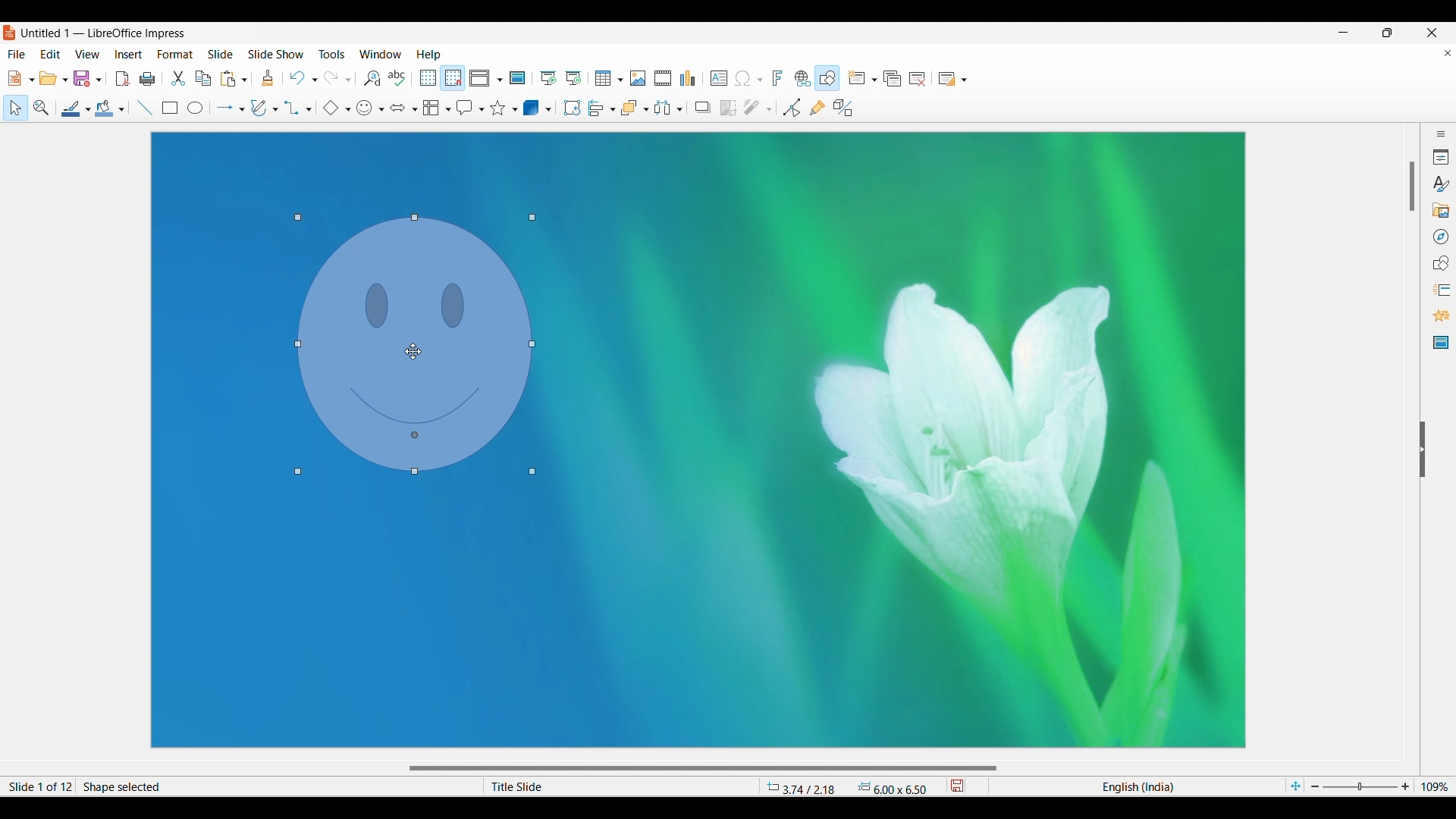  I want to click on View, so click(87, 53).